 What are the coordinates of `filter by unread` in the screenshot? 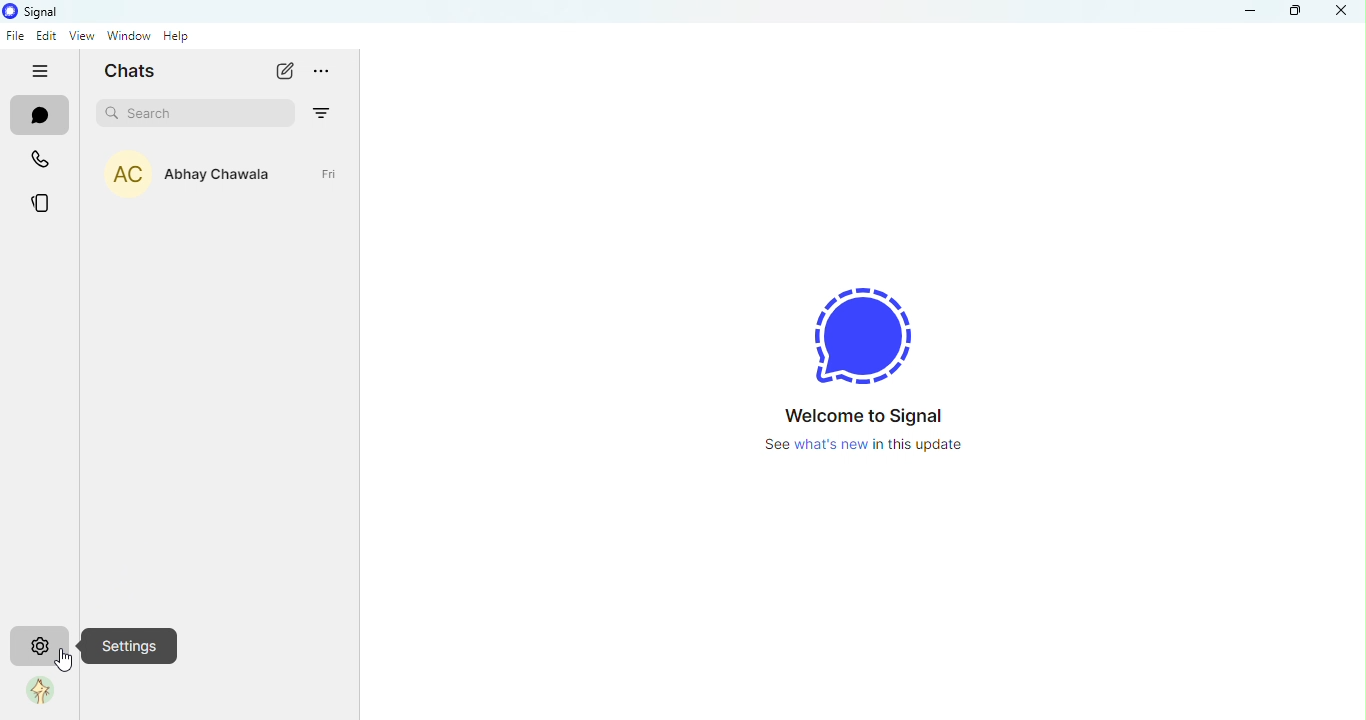 It's located at (323, 110).